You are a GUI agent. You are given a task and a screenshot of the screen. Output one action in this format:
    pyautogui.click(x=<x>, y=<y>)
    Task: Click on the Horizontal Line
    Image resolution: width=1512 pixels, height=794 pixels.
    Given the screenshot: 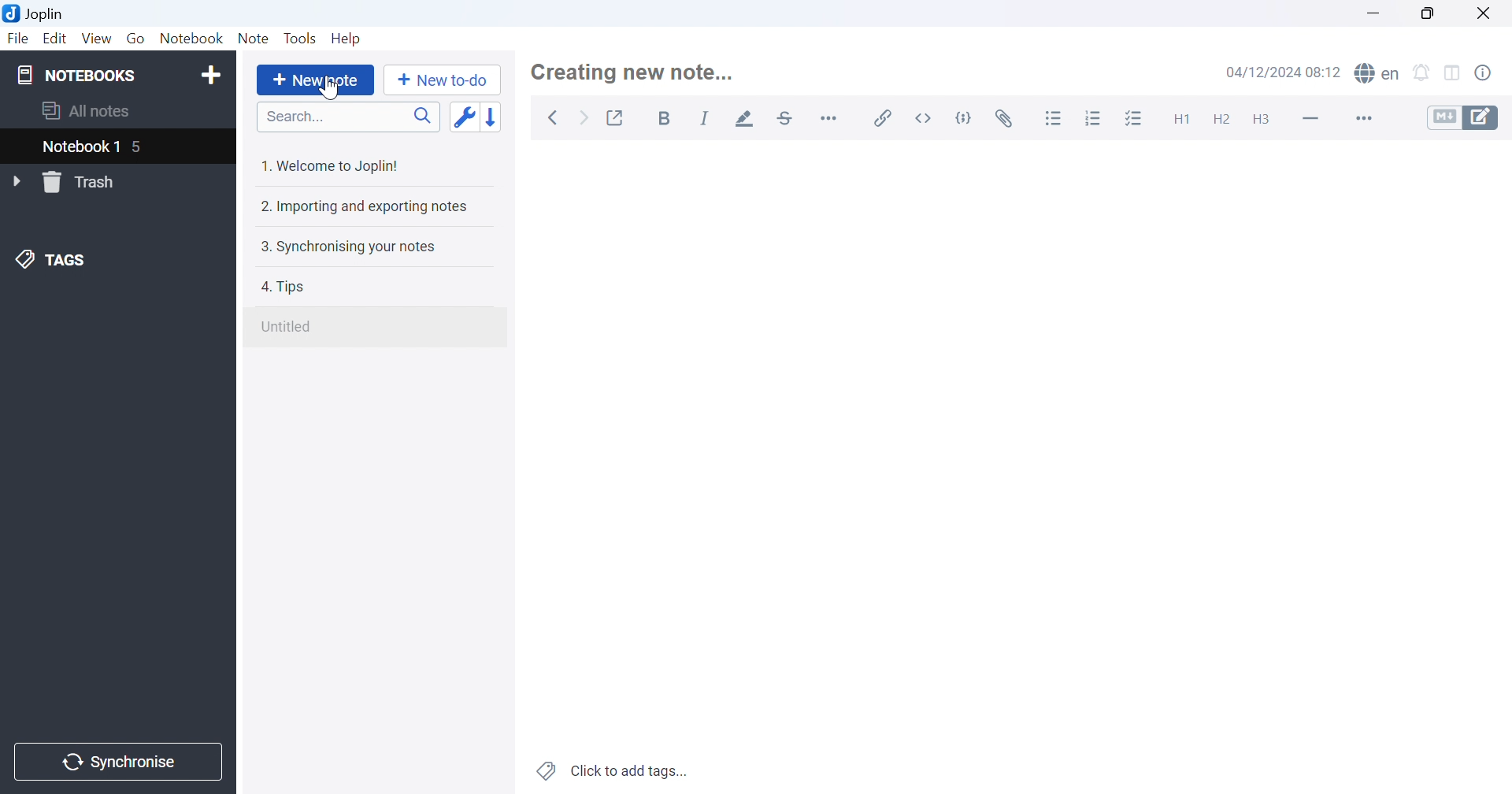 What is the action you would take?
    pyautogui.click(x=1310, y=119)
    